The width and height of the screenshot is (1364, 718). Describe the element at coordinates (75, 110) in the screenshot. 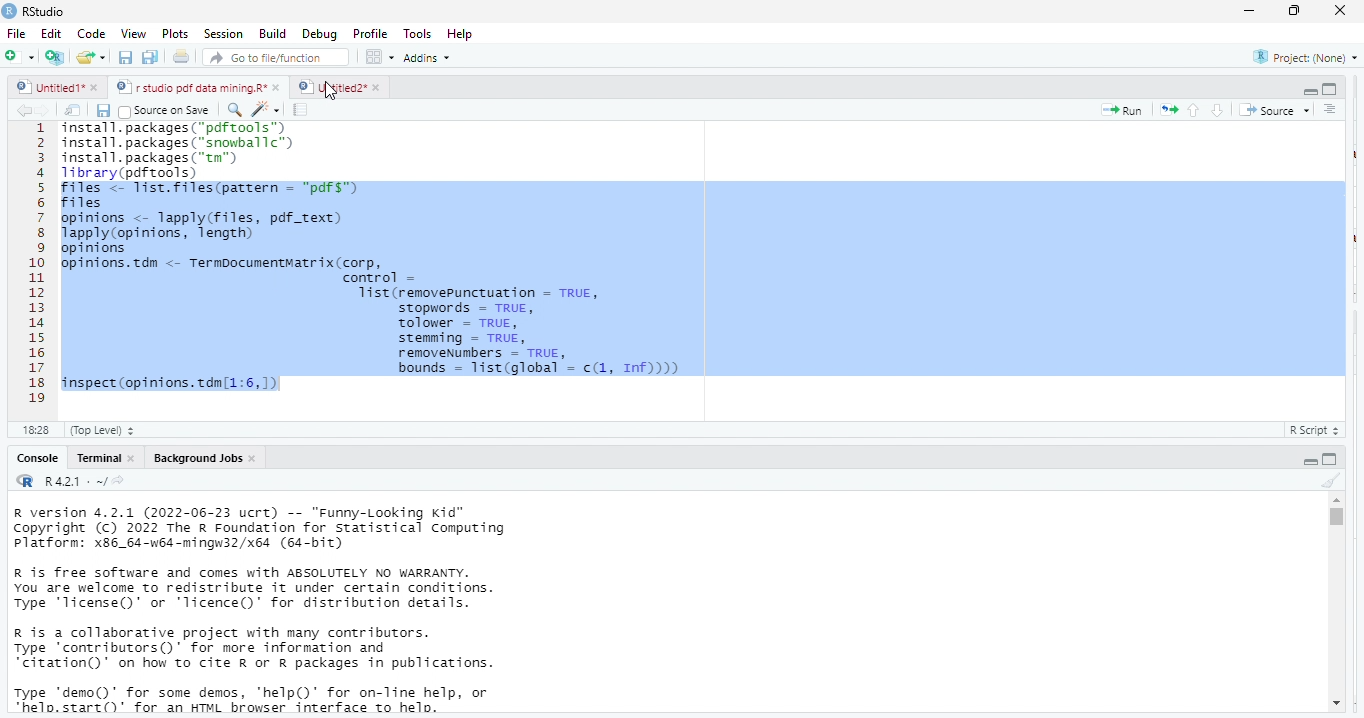

I see `show in new window` at that location.